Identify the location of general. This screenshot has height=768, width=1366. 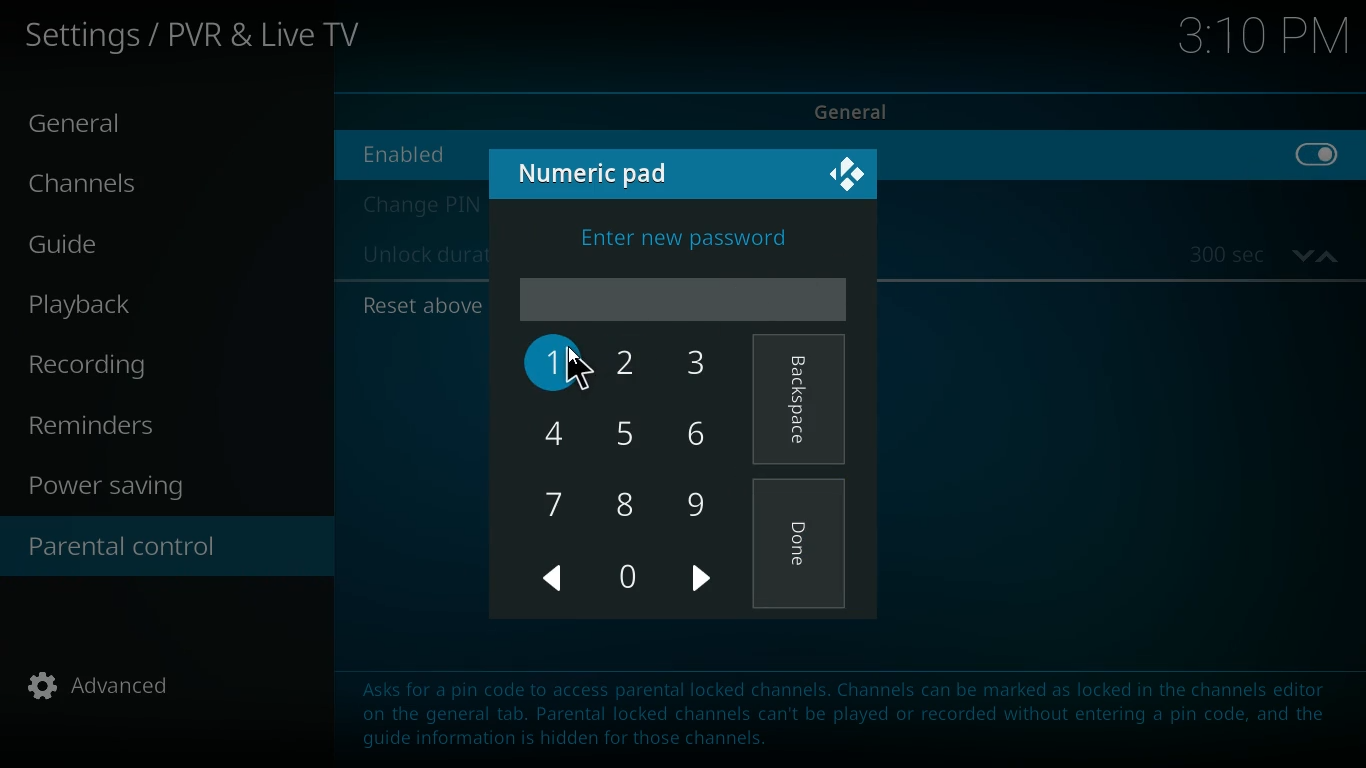
(868, 109).